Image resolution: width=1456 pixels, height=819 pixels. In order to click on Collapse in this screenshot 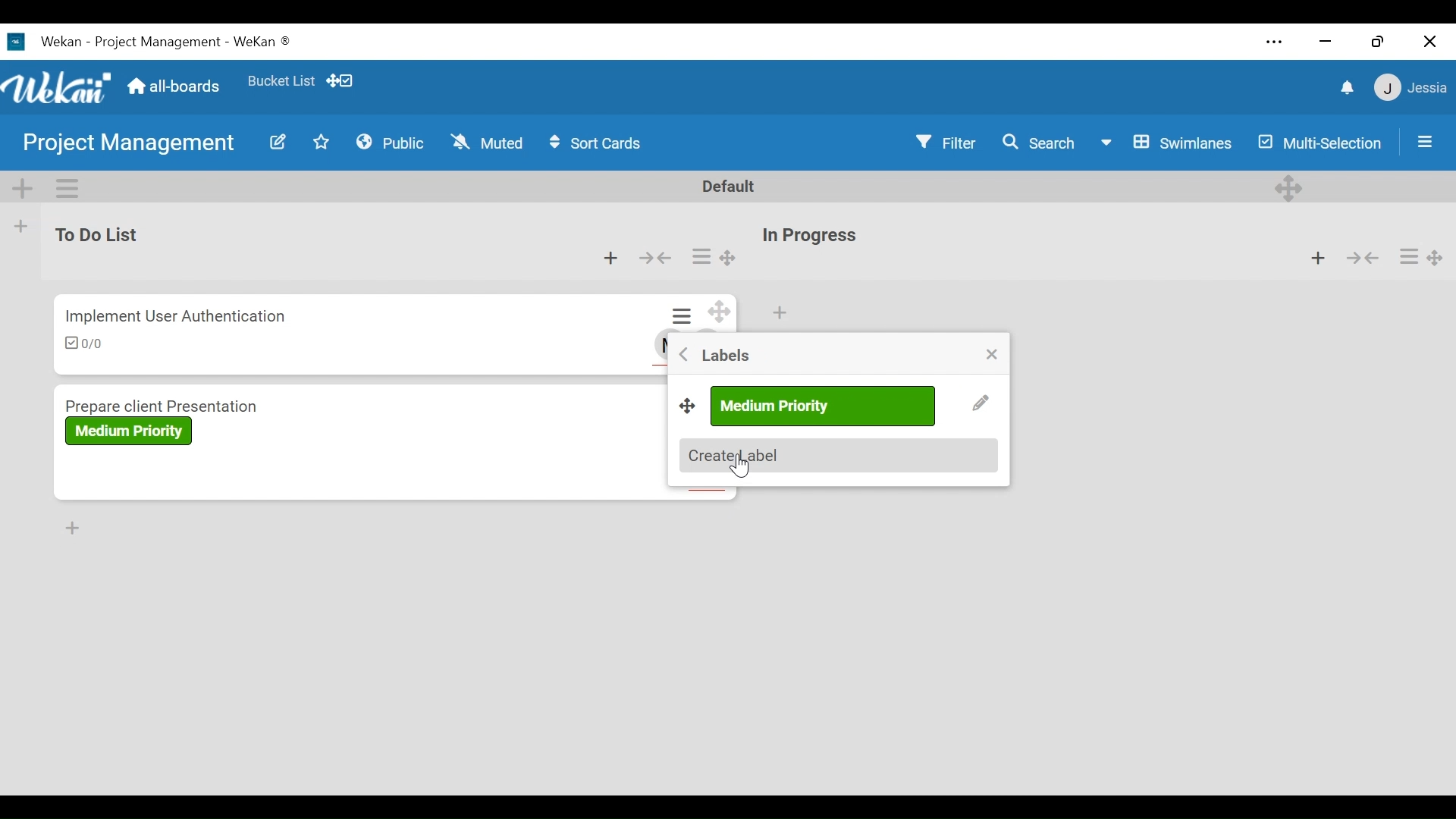, I will do `click(654, 259)`.